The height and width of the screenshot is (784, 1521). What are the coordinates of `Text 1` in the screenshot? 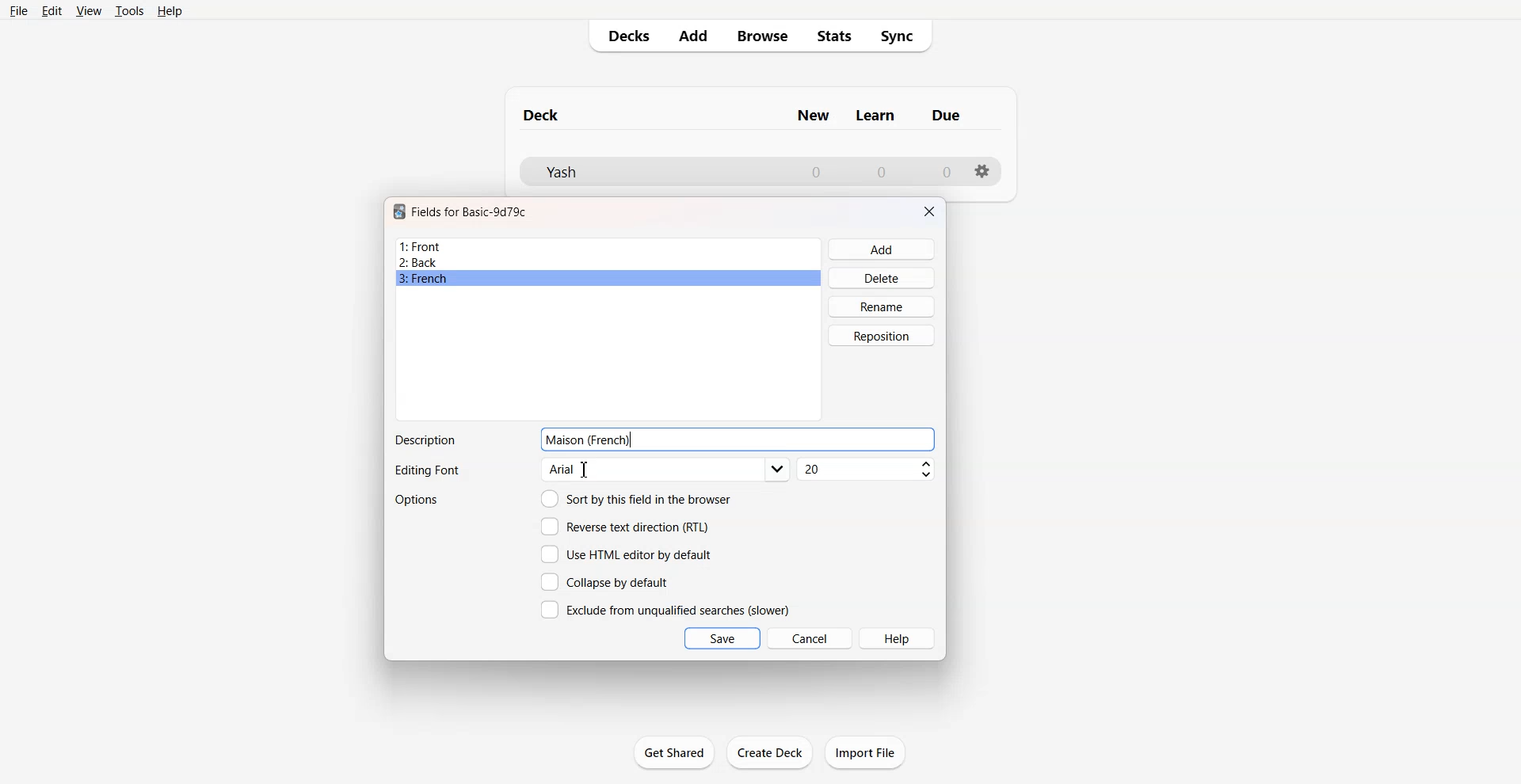 It's located at (470, 211).